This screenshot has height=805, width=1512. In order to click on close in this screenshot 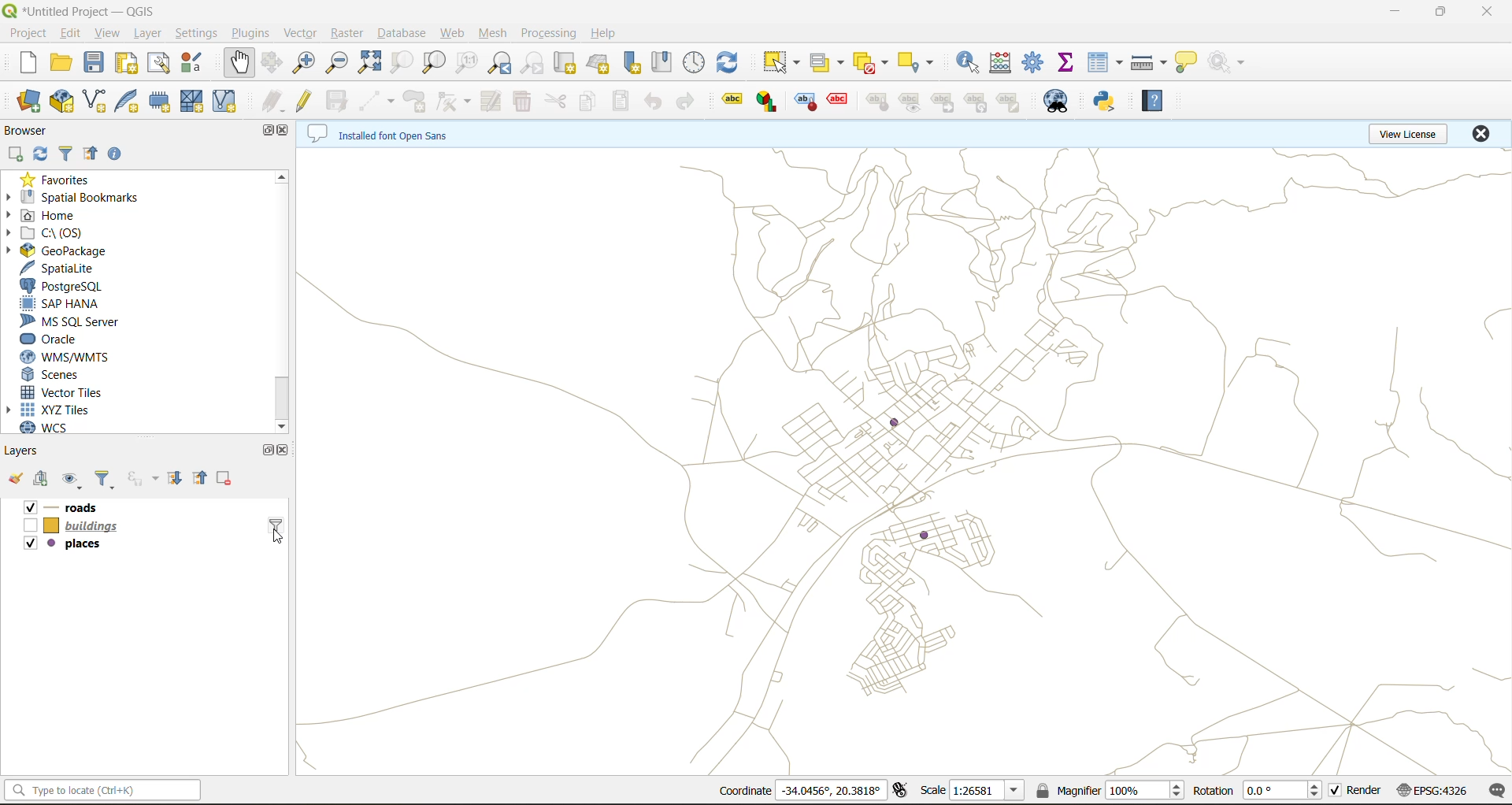, I will do `click(287, 129)`.